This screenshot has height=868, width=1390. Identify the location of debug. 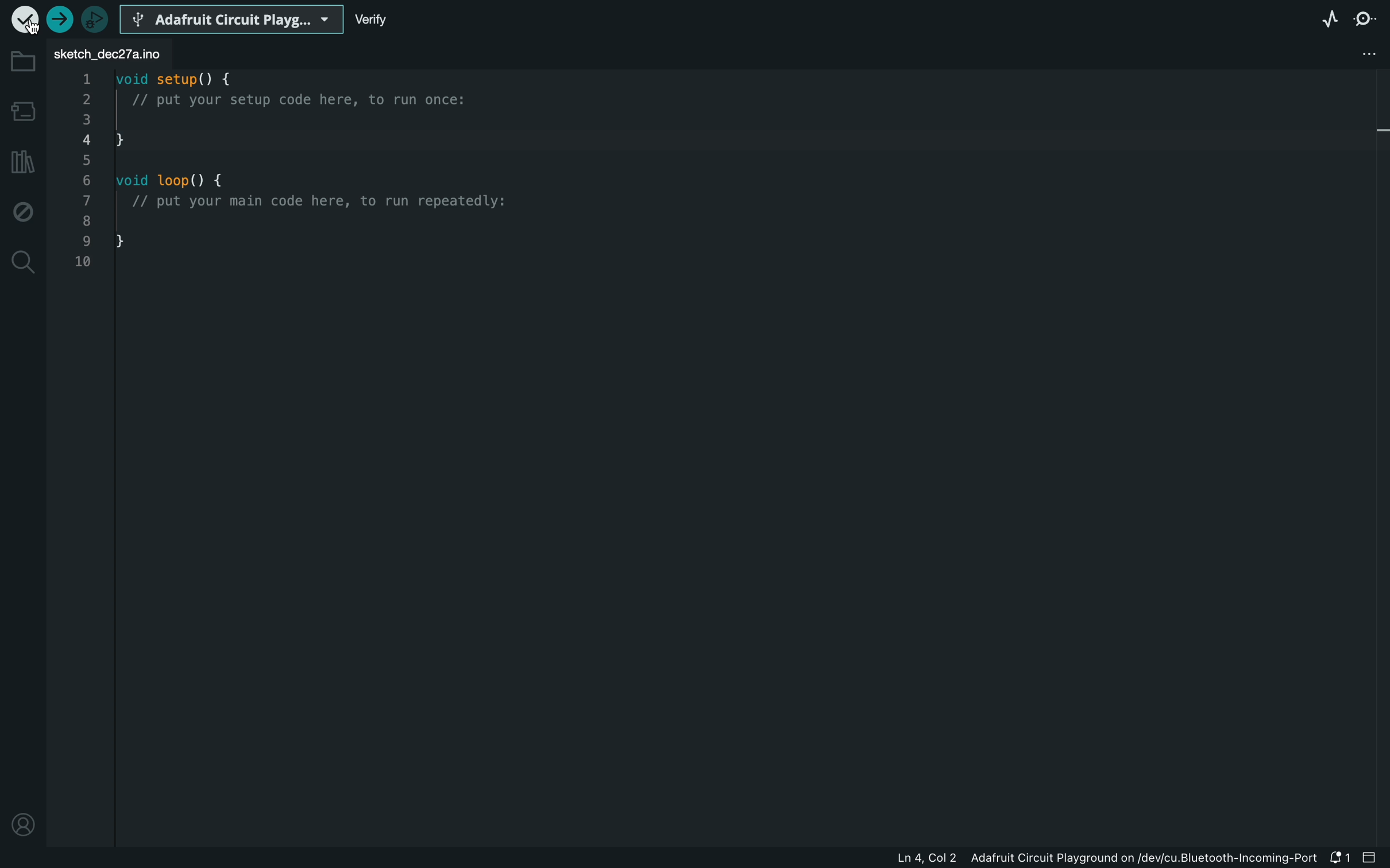
(24, 214).